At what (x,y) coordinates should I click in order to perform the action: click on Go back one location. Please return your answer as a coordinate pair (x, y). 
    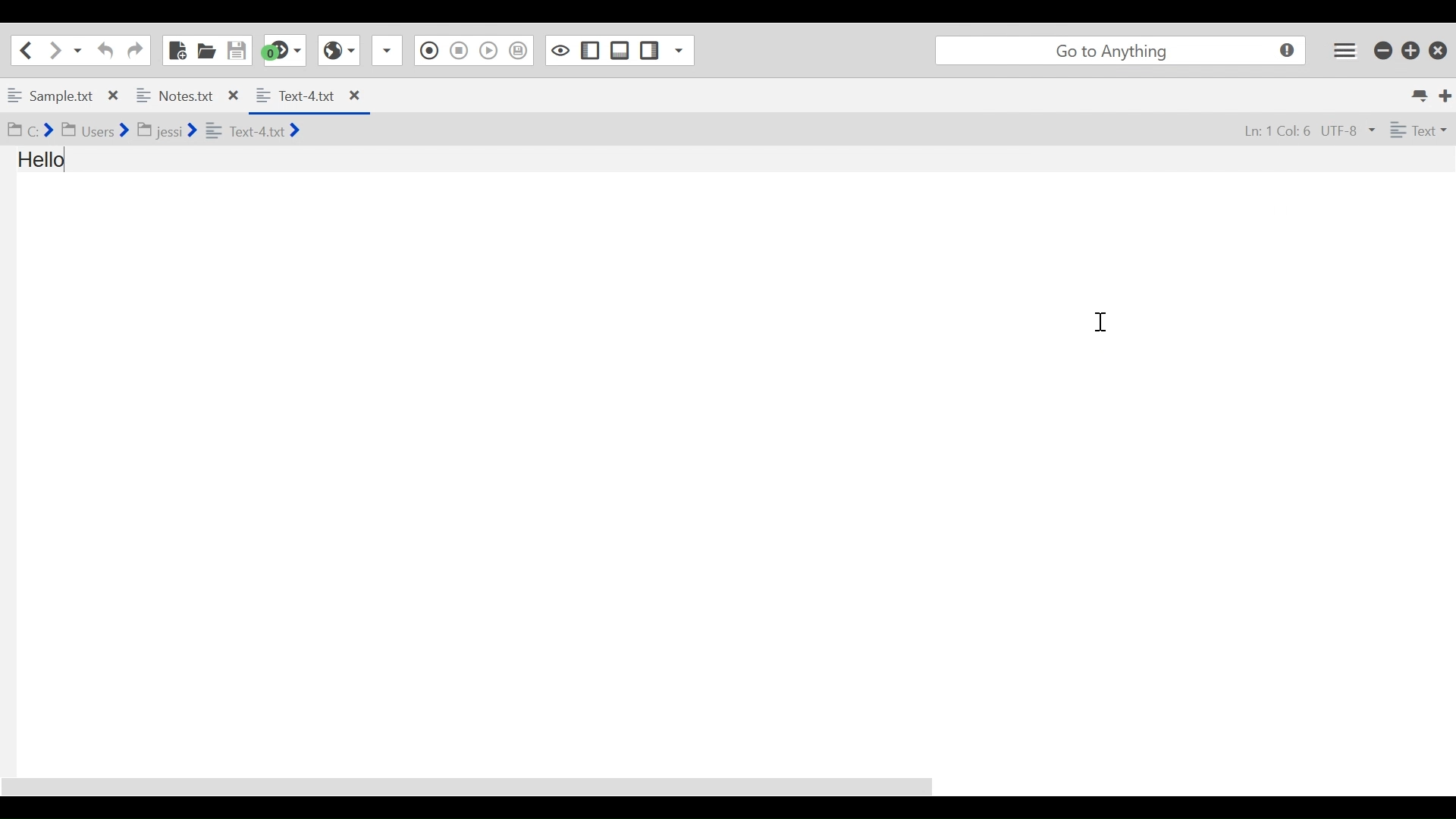
    Looking at the image, I should click on (29, 50).